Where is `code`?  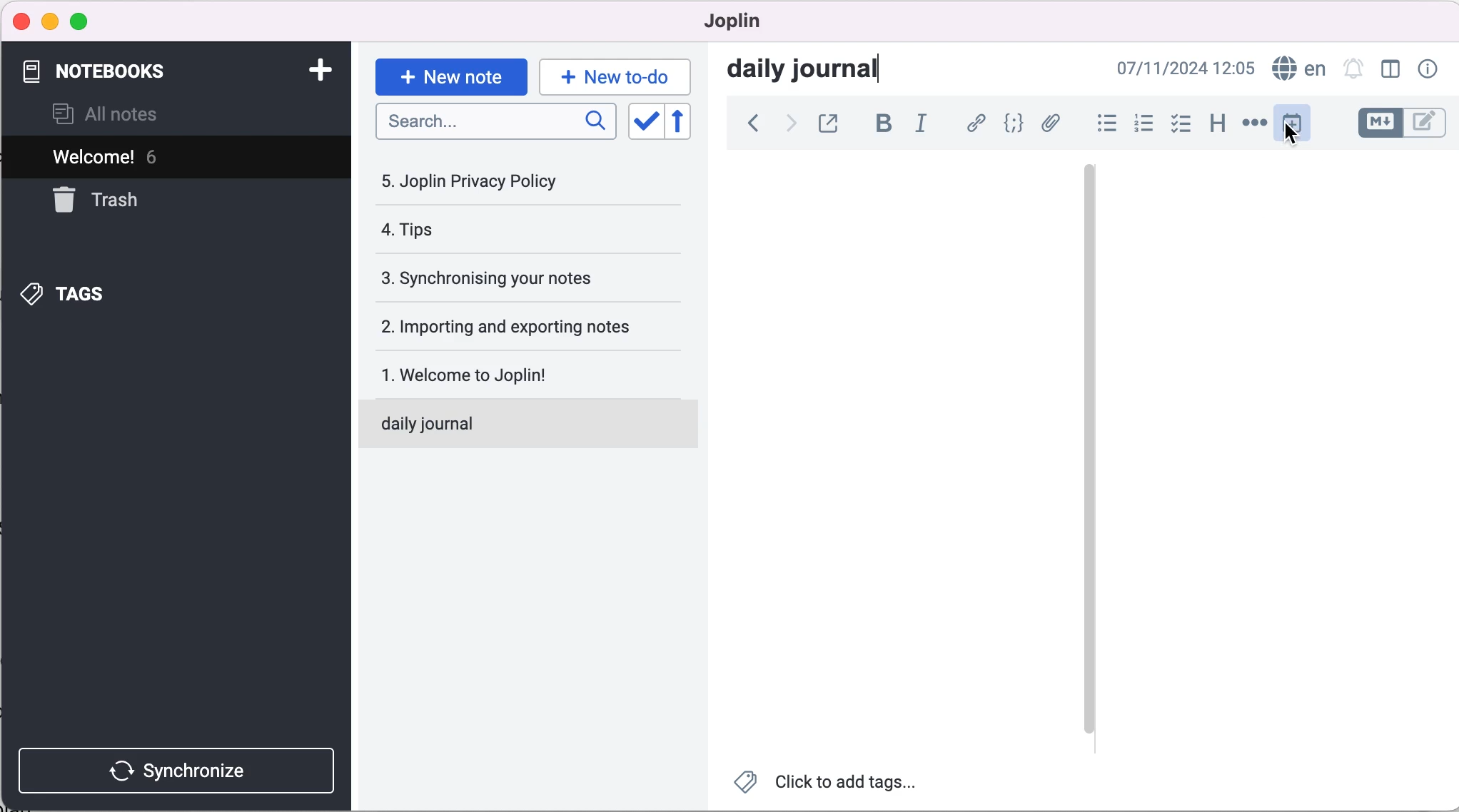
code is located at coordinates (1009, 124).